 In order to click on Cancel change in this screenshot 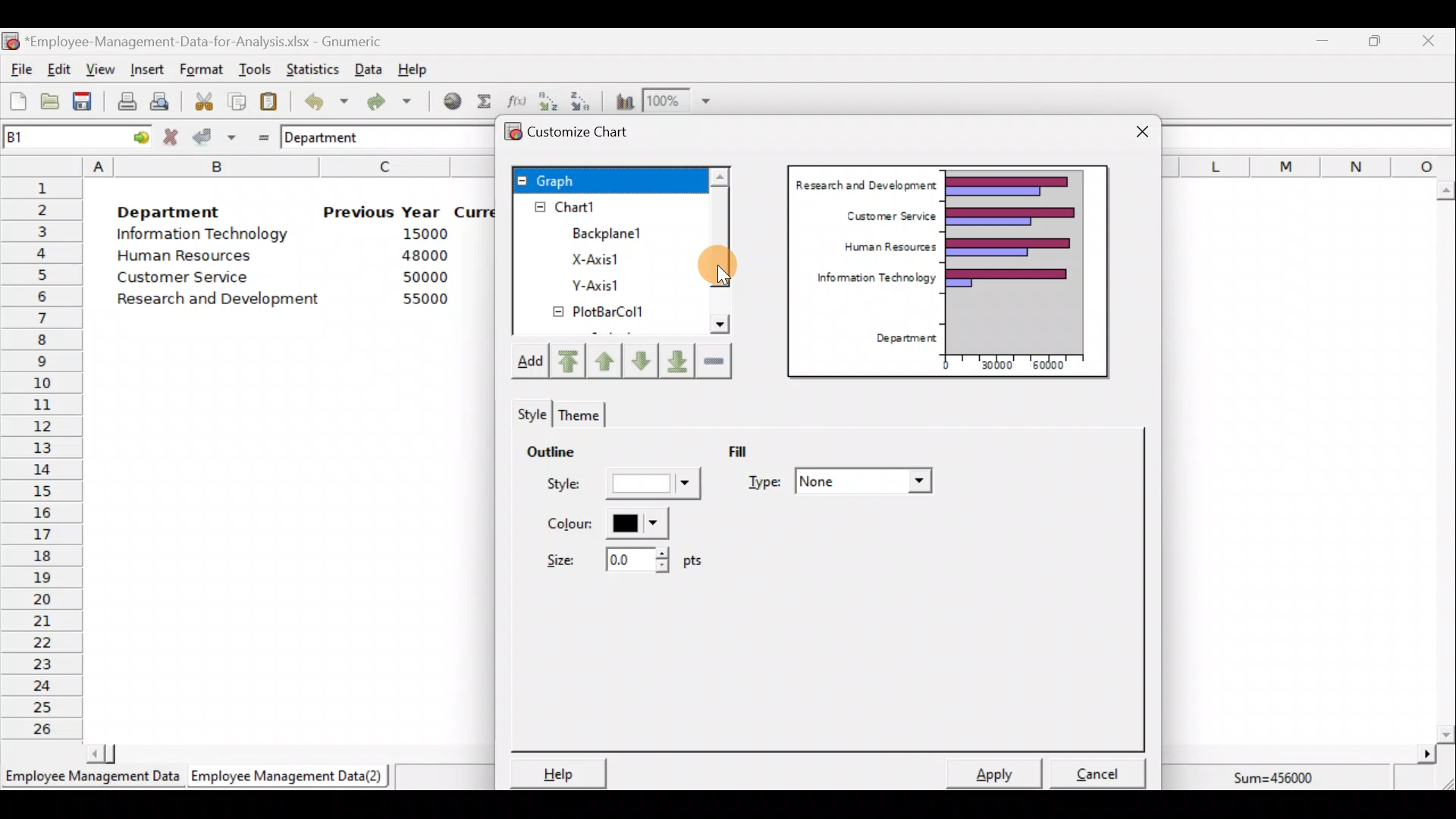, I will do `click(173, 136)`.